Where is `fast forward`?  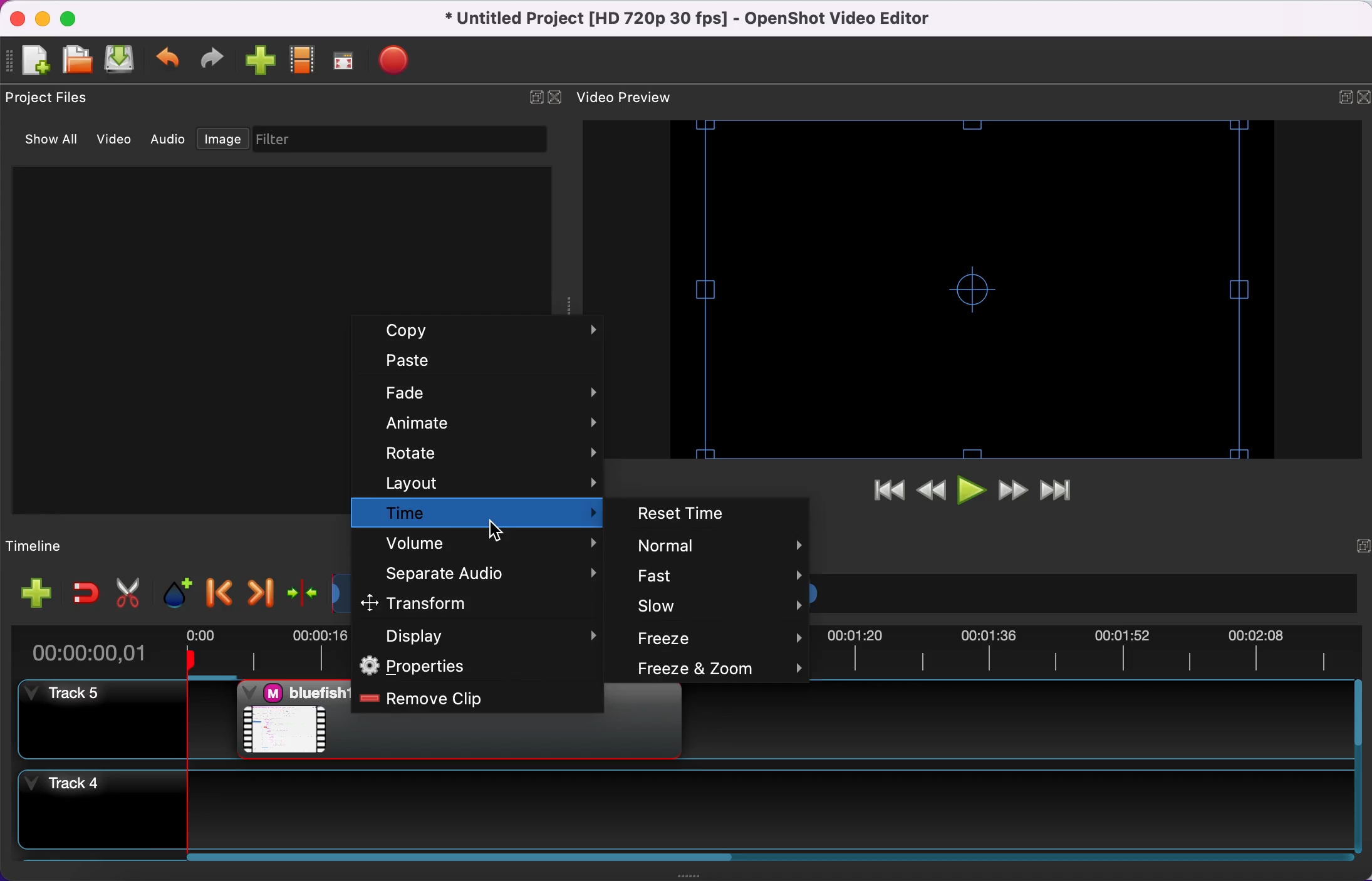
fast forward is located at coordinates (1014, 491).